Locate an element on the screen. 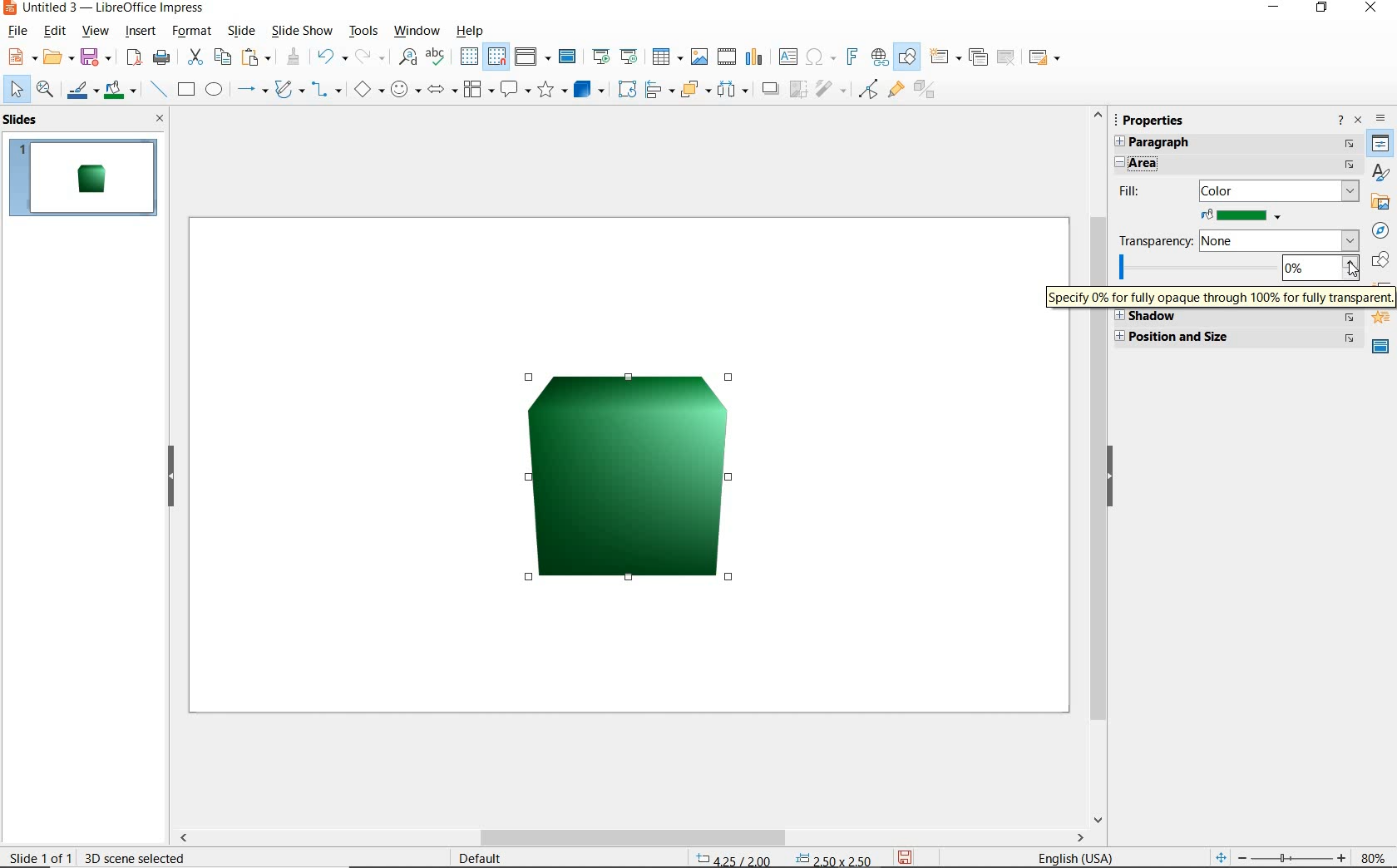  insert image is located at coordinates (699, 57).